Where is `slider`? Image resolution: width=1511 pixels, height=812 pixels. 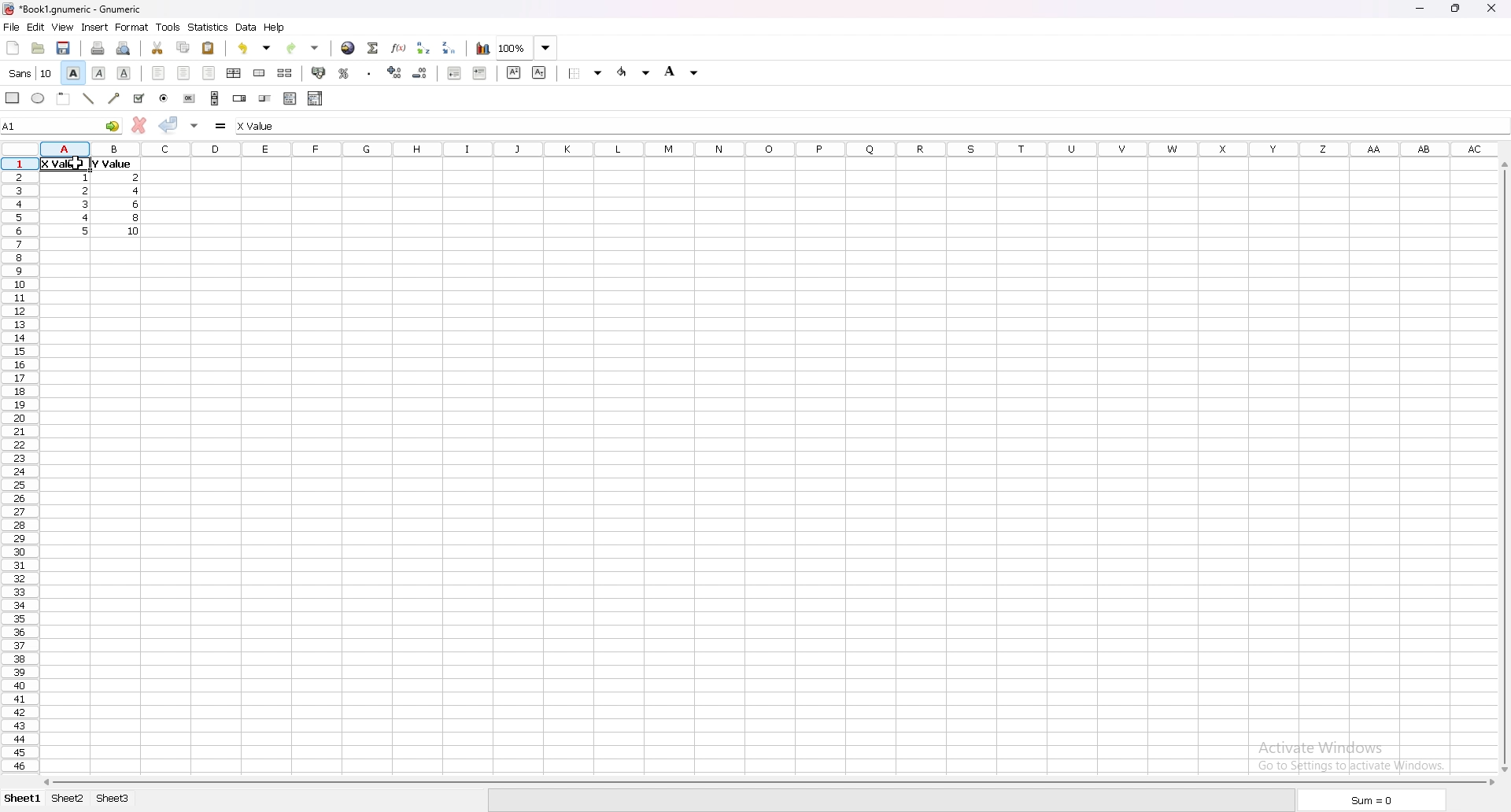
slider is located at coordinates (266, 98).